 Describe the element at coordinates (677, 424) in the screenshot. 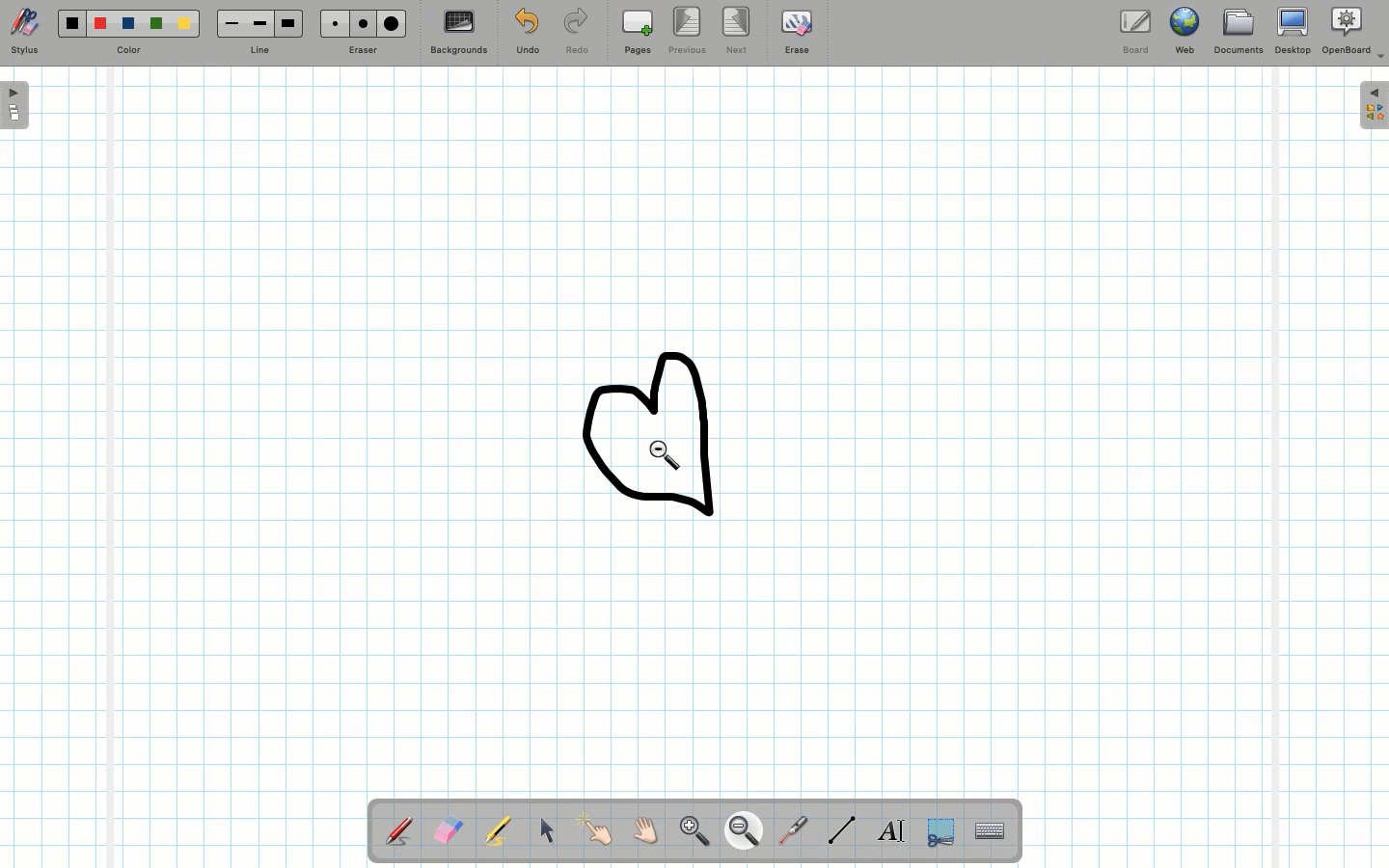

I see `Zoomed out ` at that location.